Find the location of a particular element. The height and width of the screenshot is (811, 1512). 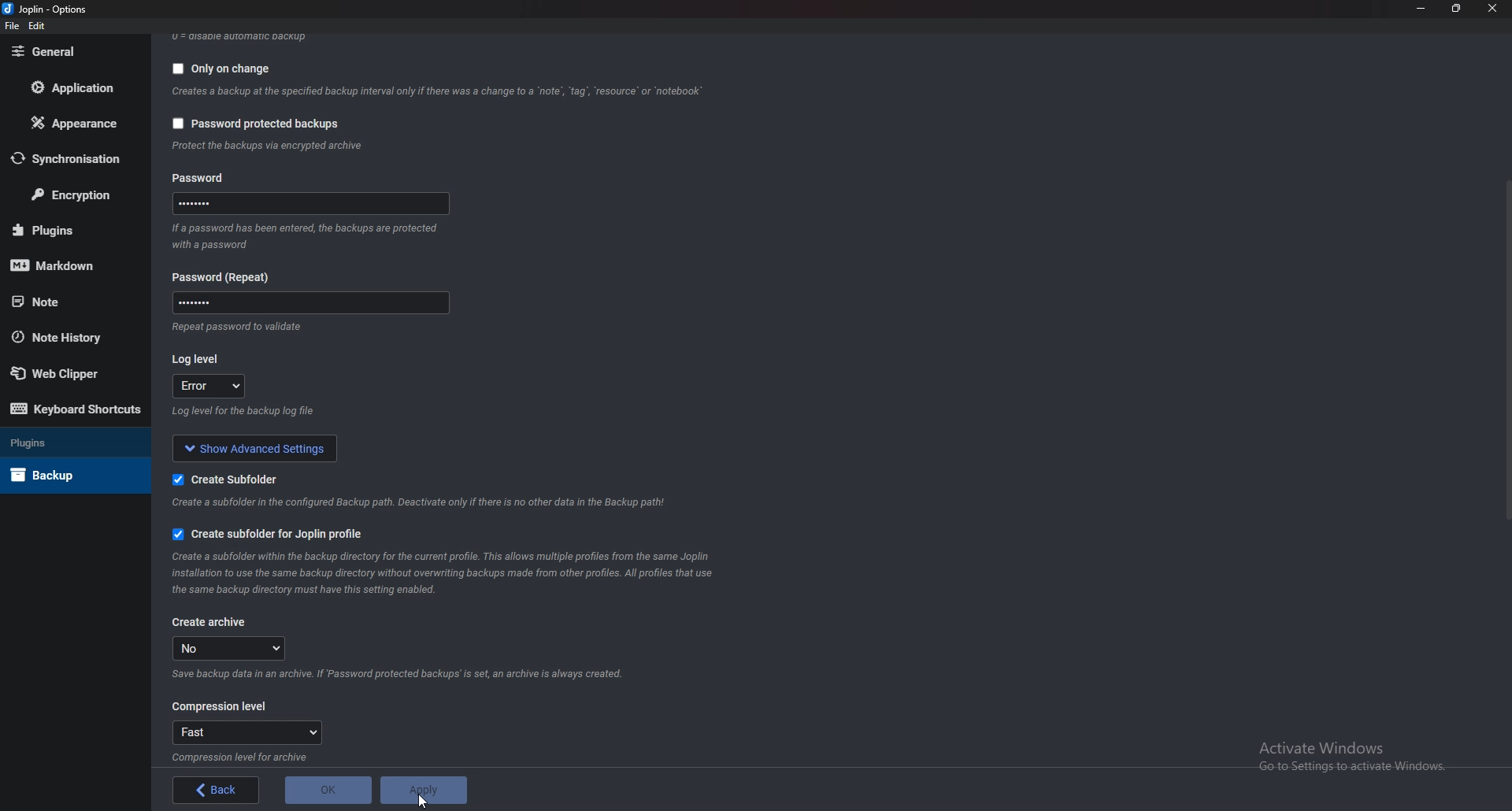

Back is located at coordinates (217, 790).